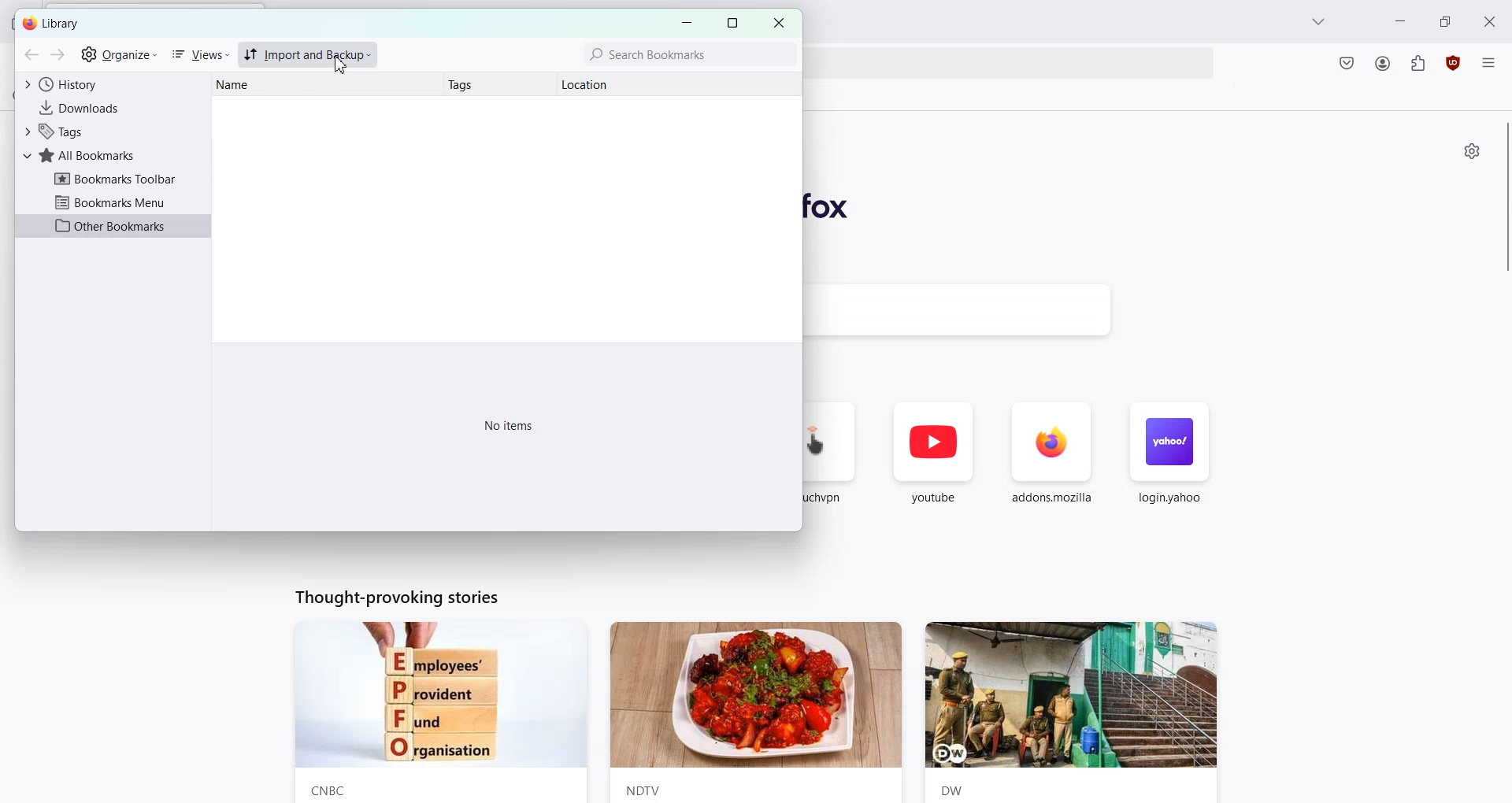  Describe the element at coordinates (1320, 21) in the screenshot. I see `List all tab` at that location.